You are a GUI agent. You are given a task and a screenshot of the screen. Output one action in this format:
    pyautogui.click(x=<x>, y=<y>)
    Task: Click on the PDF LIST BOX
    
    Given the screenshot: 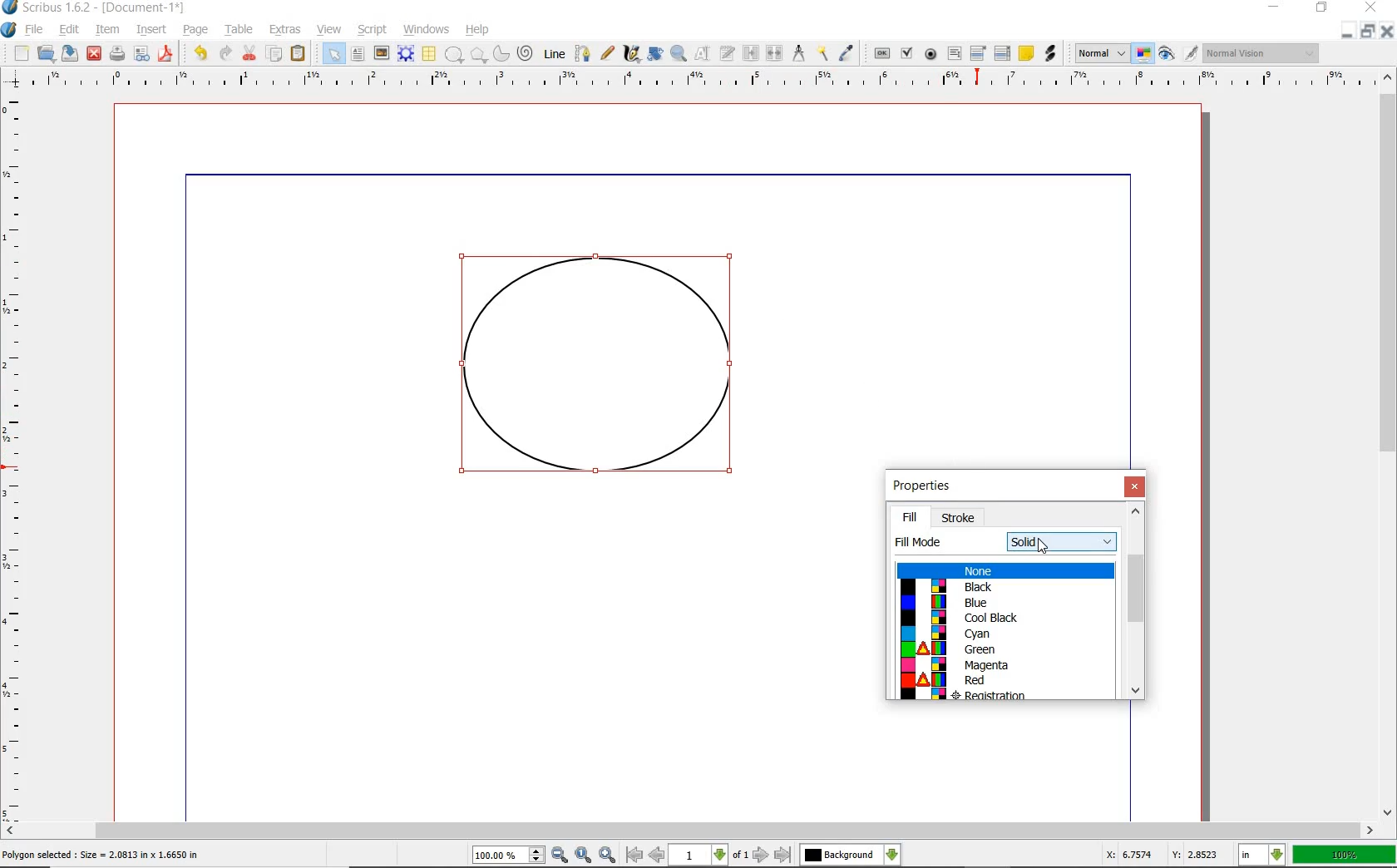 What is the action you would take?
    pyautogui.click(x=1004, y=53)
    